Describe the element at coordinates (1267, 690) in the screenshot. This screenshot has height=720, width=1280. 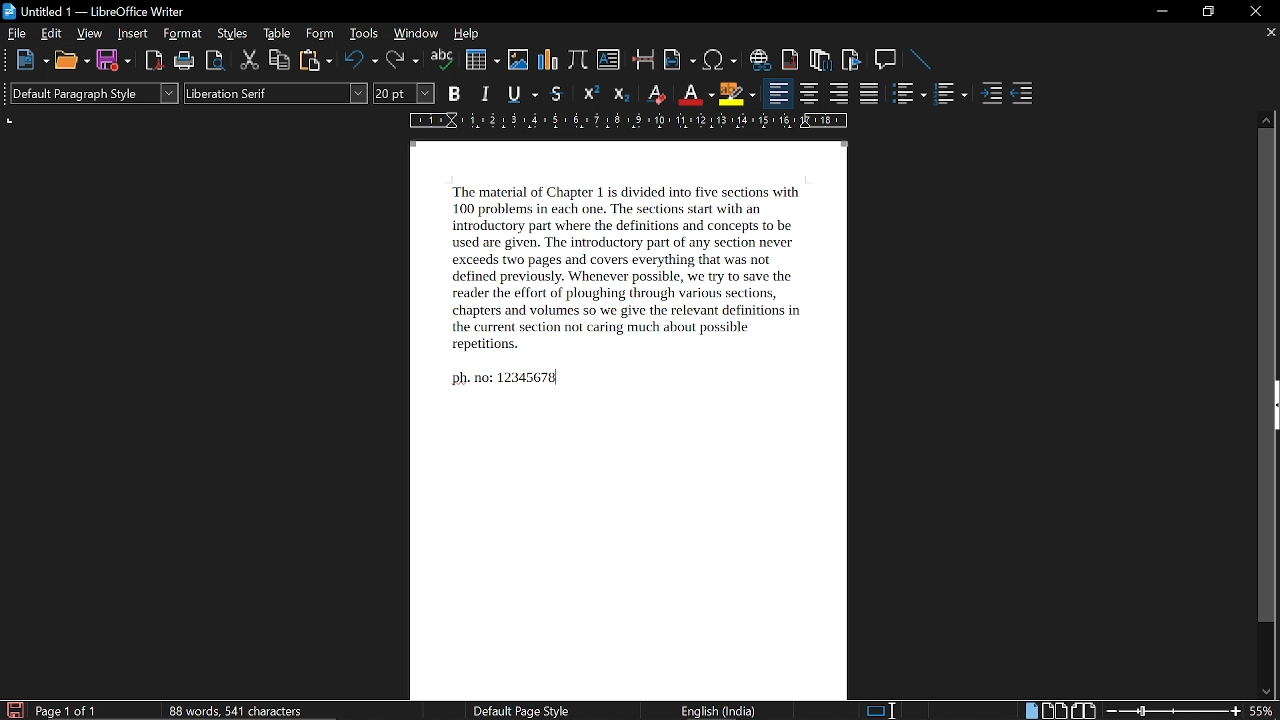
I see `move down` at that location.